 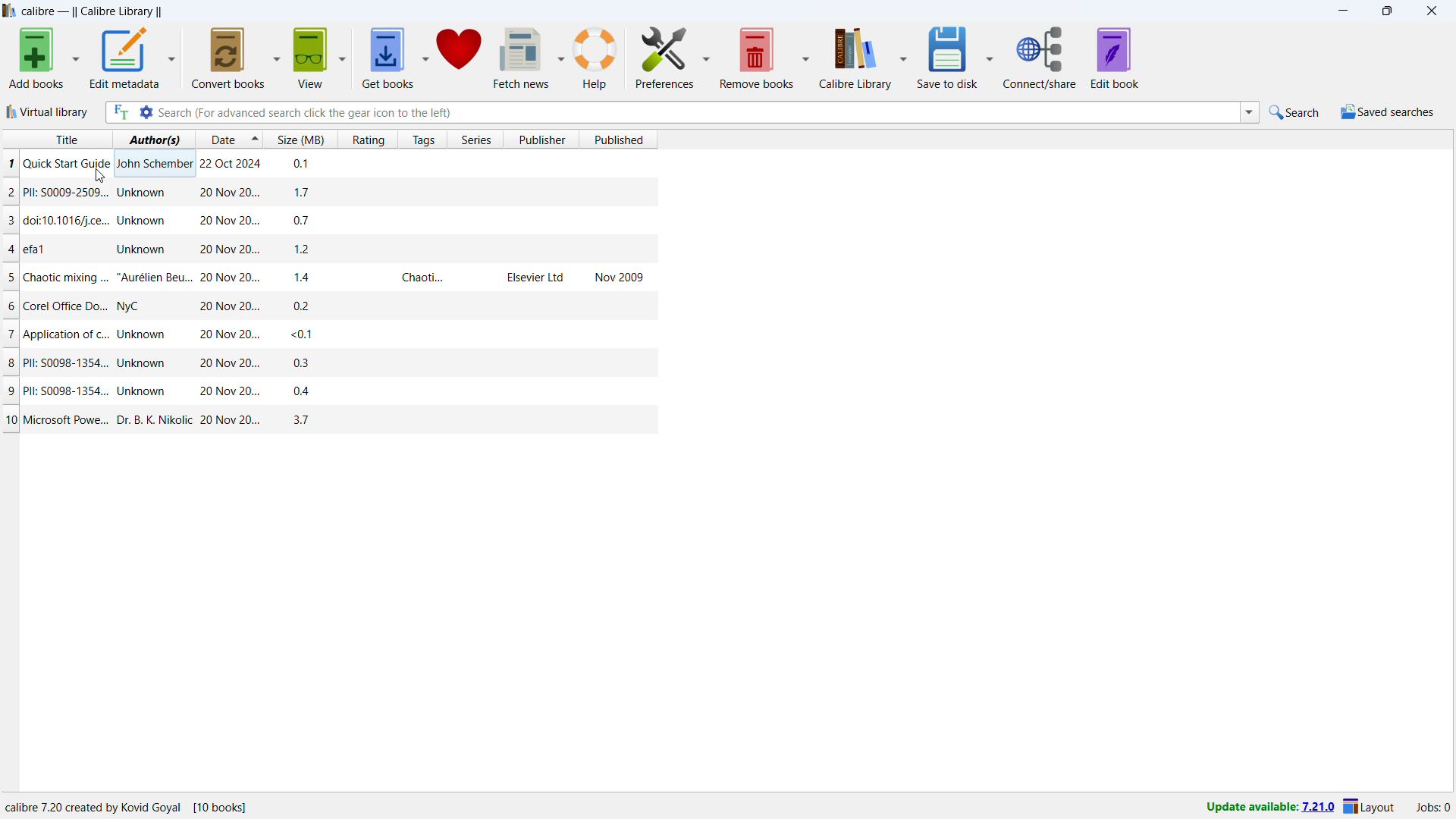 I want to click on add books, so click(x=36, y=57).